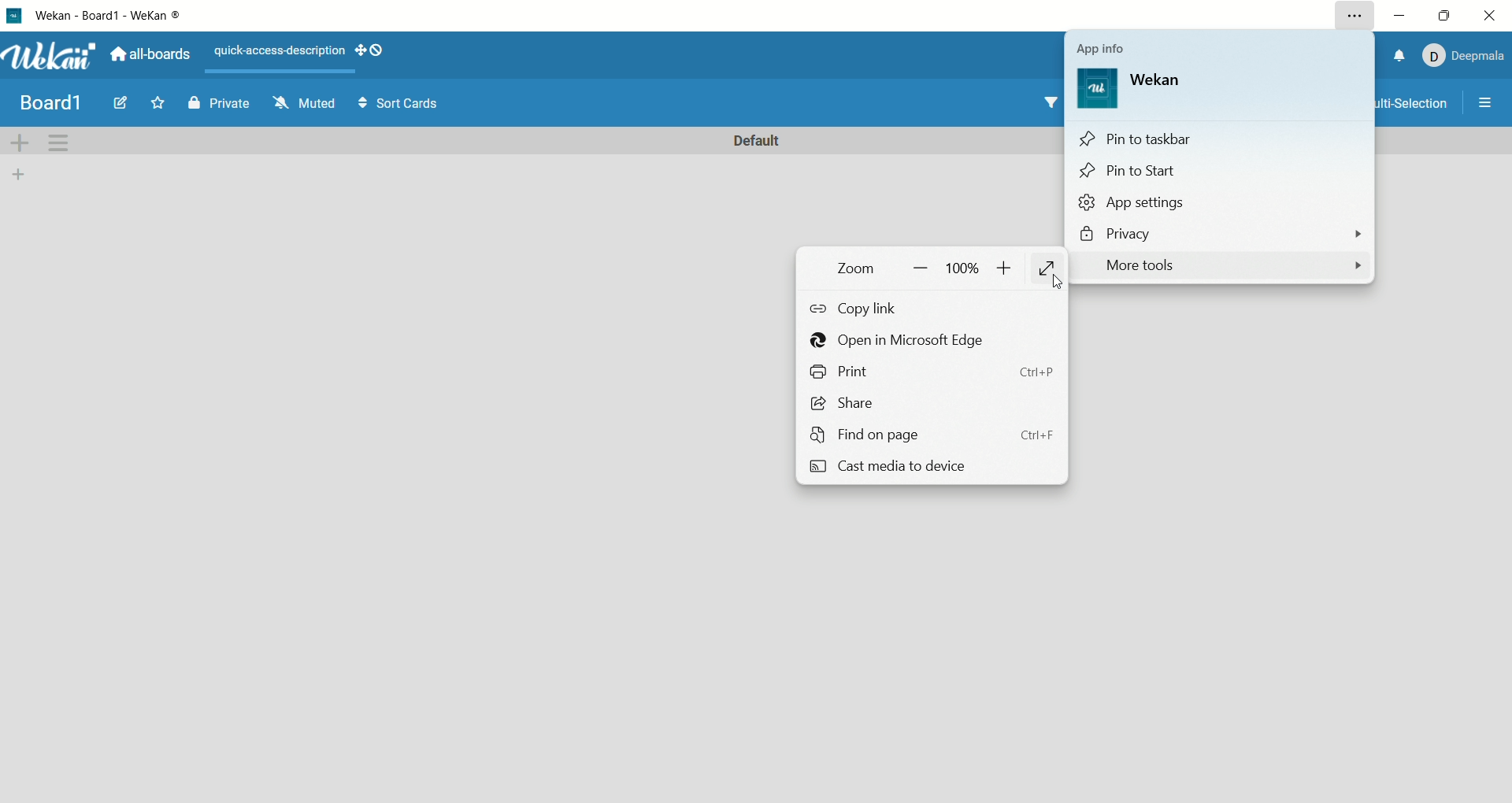 The width and height of the screenshot is (1512, 803). Describe the element at coordinates (1099, 89) in the screenshot. I see `logo` at that location.